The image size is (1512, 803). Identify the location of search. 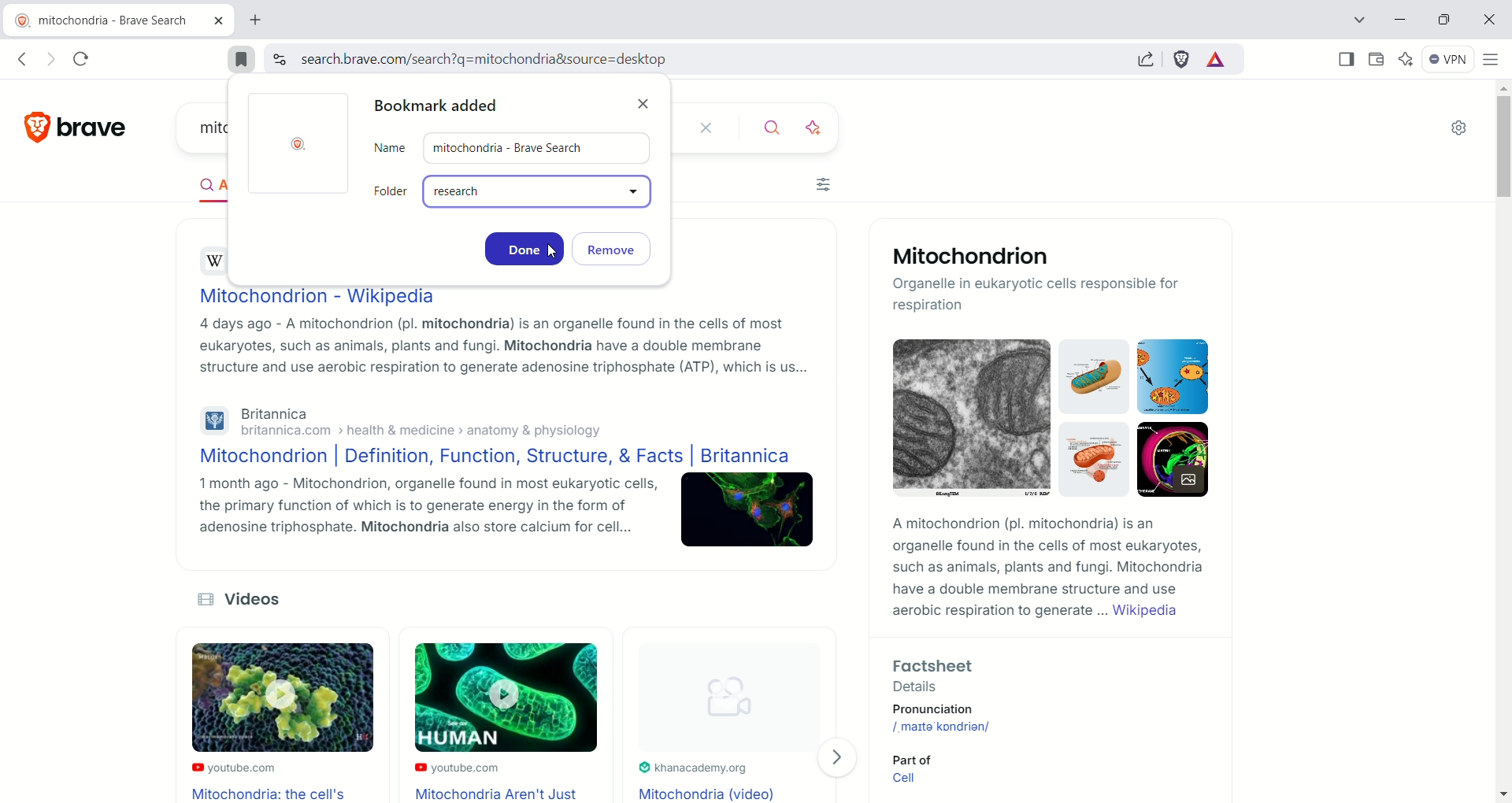
(764, 128).